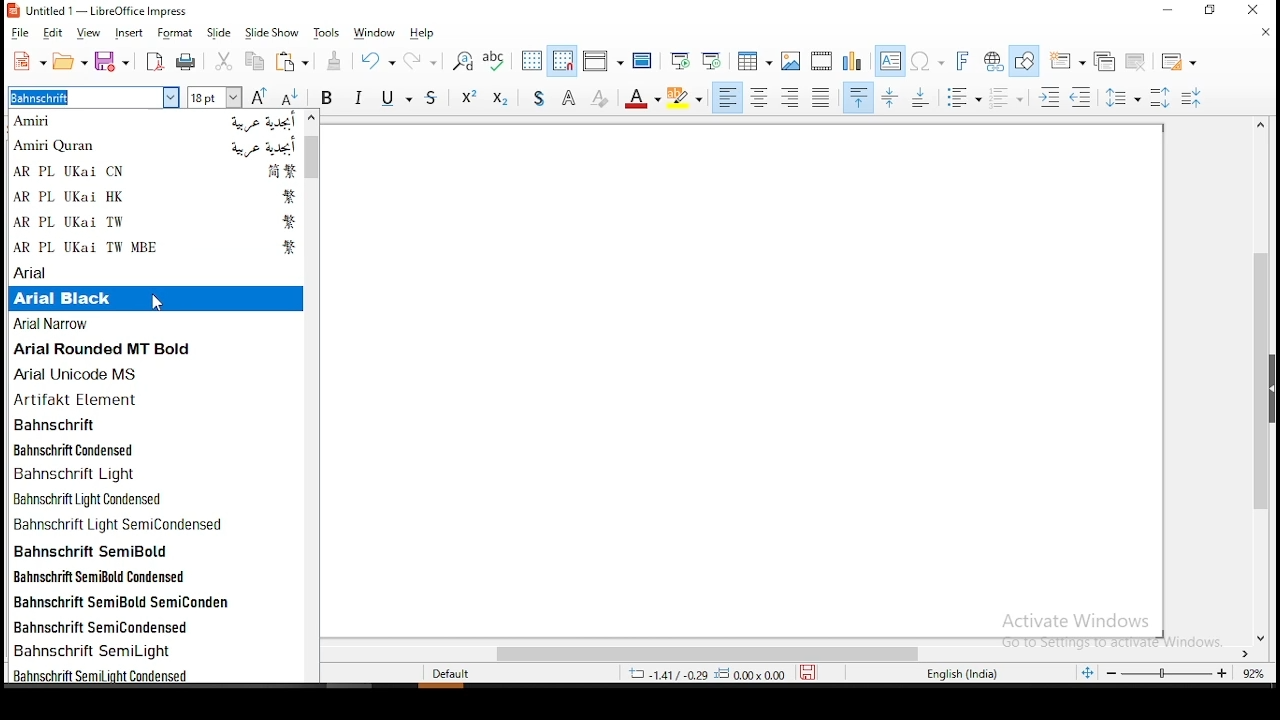 Image resolution: width=1280 pixels, height=720 pixels. I want to click on justified, so click(819, 97).